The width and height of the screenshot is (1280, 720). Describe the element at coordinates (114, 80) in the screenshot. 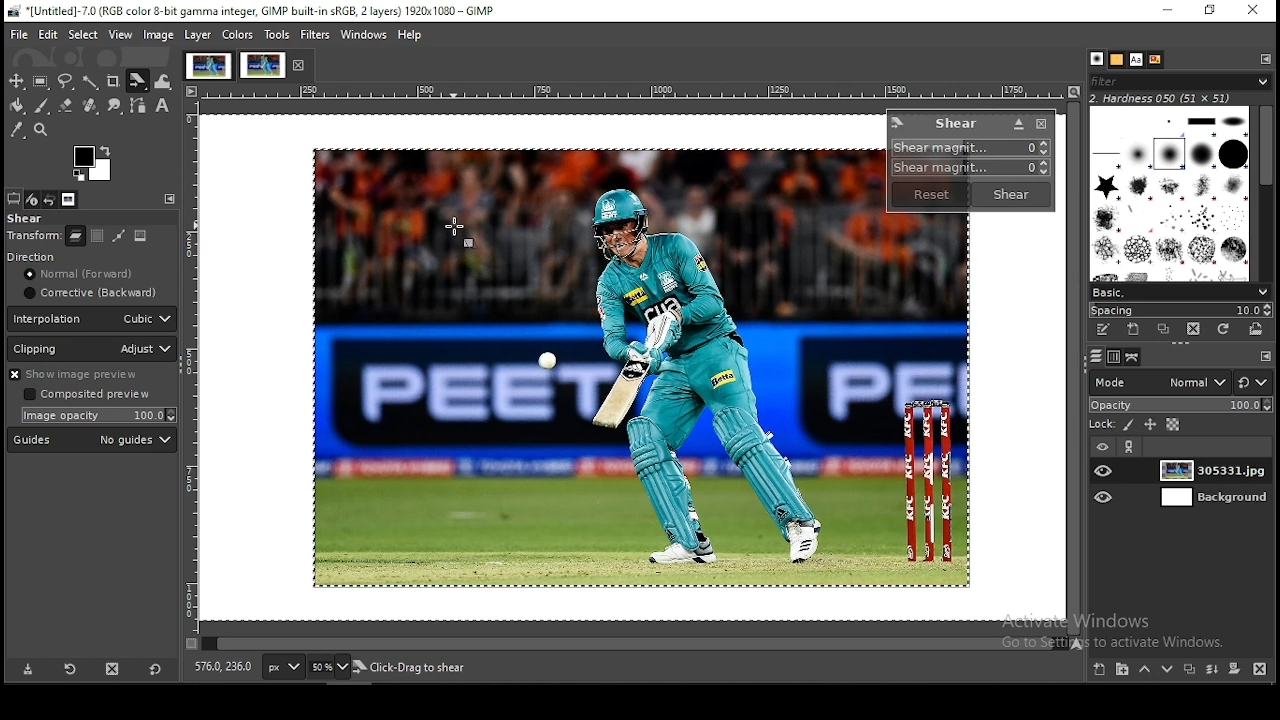

I see `crop` at that location.